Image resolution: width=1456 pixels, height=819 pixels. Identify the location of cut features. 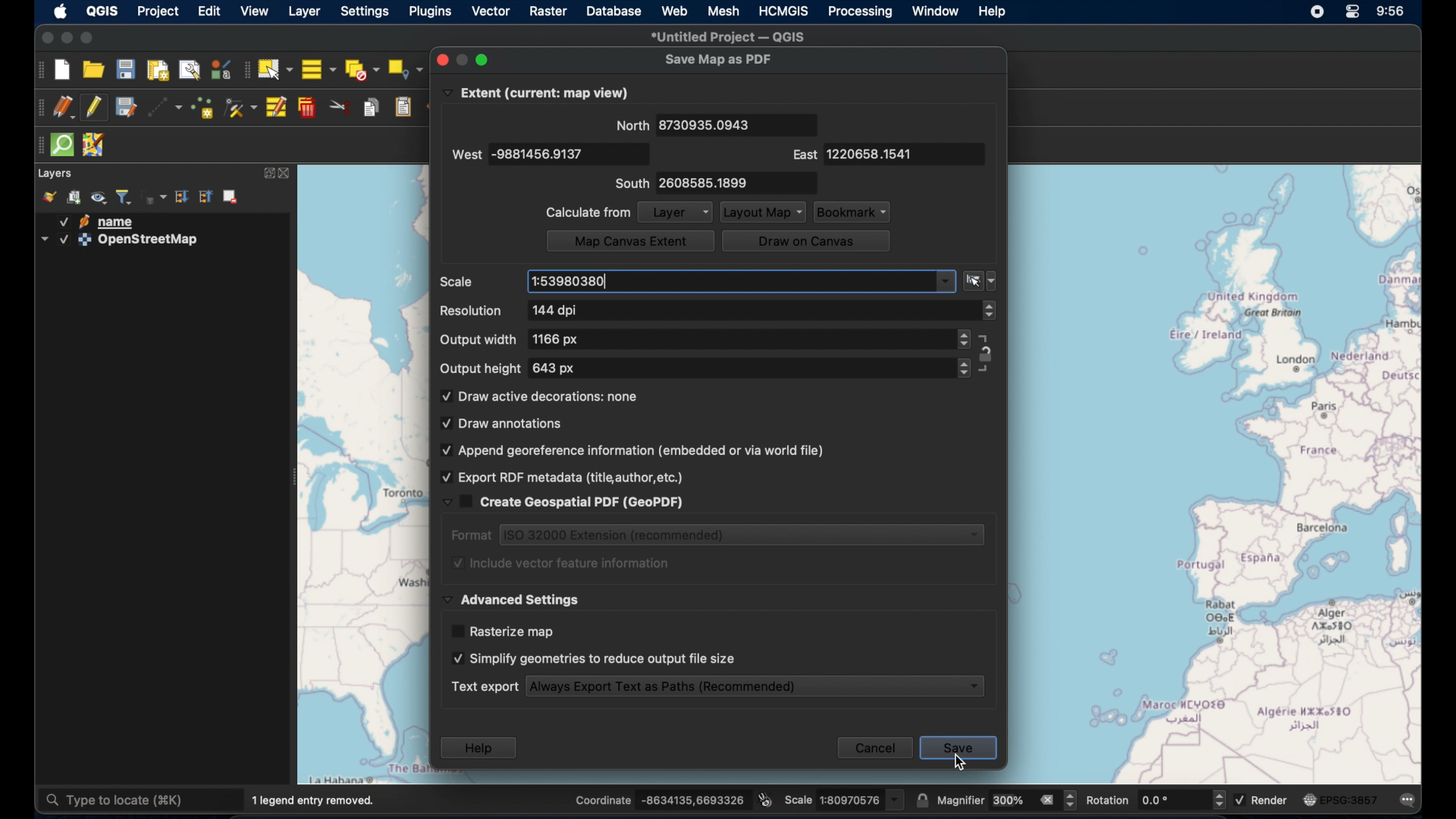
(340, 107).